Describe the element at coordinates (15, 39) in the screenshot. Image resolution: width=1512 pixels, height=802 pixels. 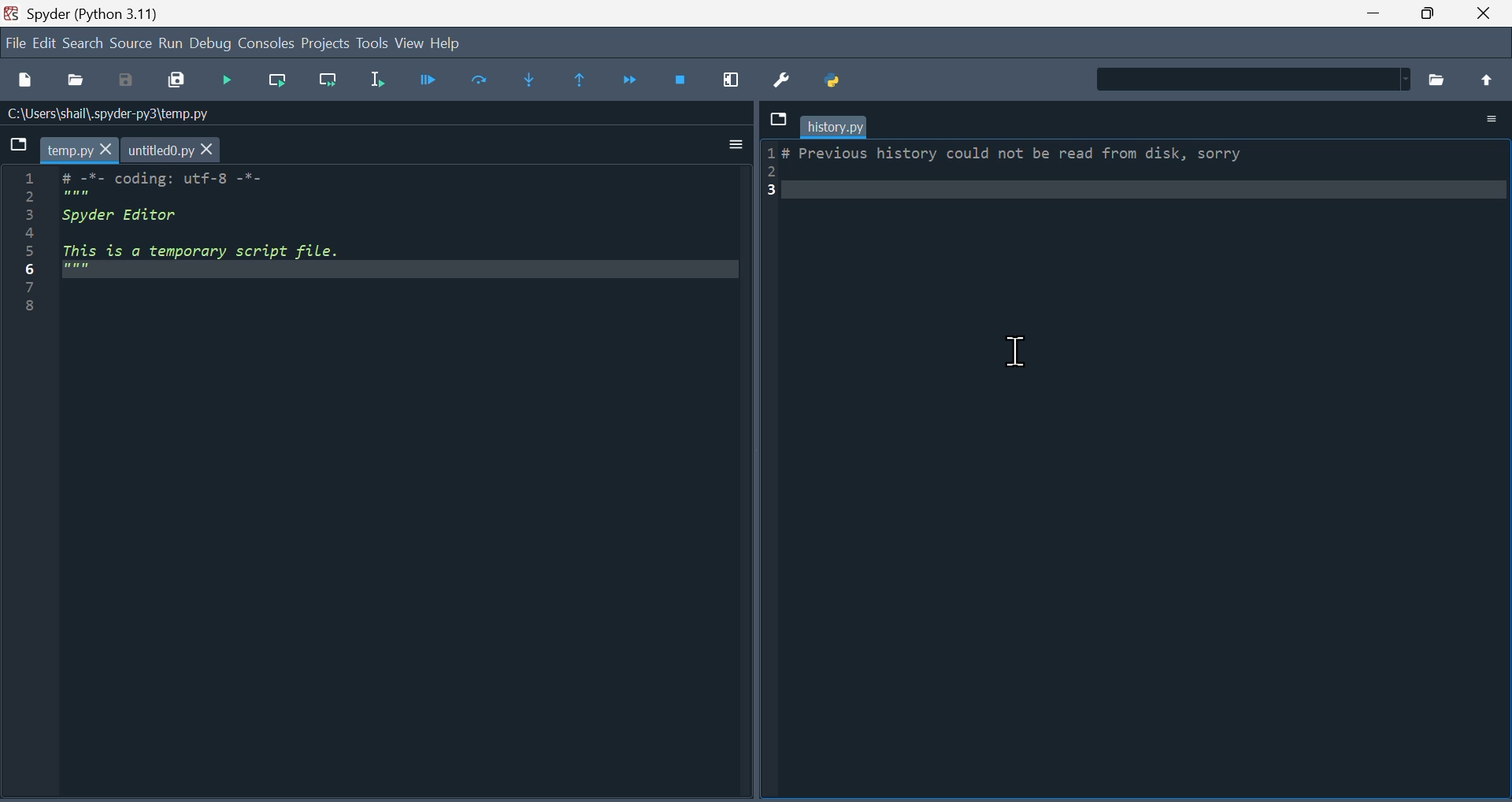
I see `file` at that location.